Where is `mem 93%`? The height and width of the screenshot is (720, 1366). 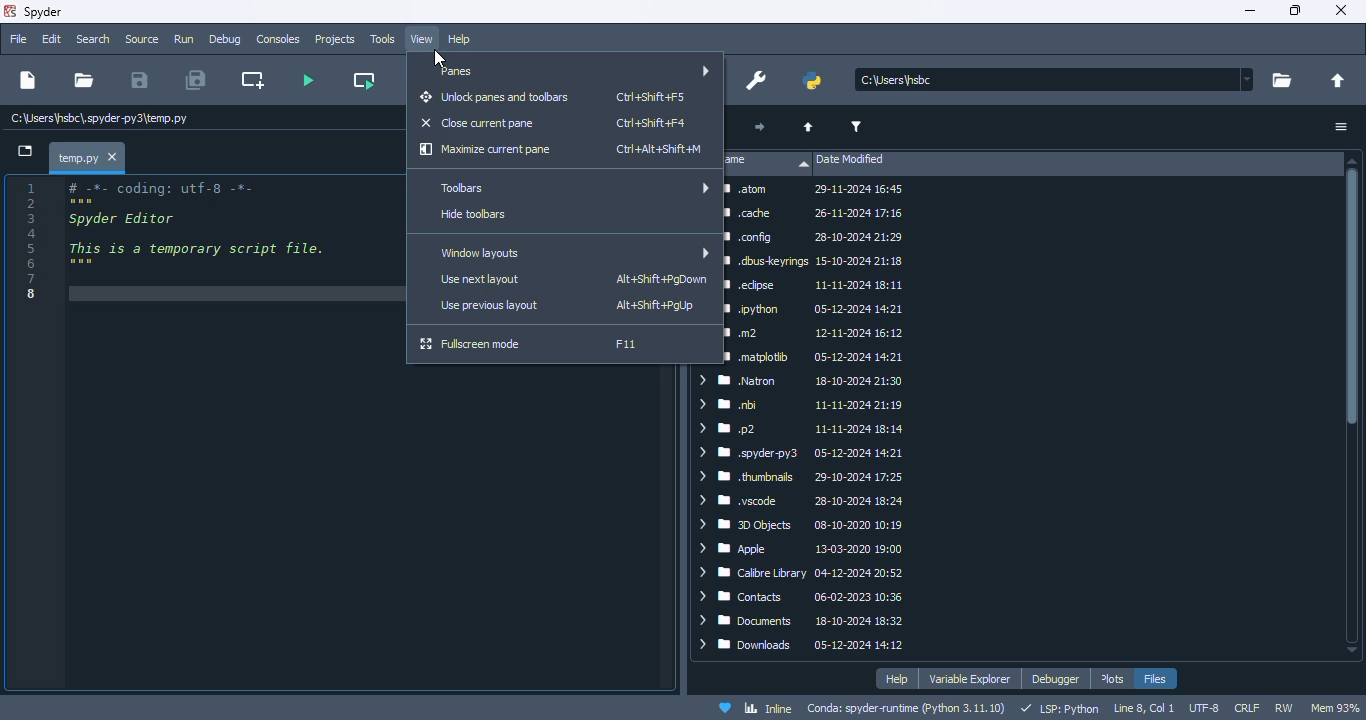
mem 93% is located at coordinates (1336, 707).